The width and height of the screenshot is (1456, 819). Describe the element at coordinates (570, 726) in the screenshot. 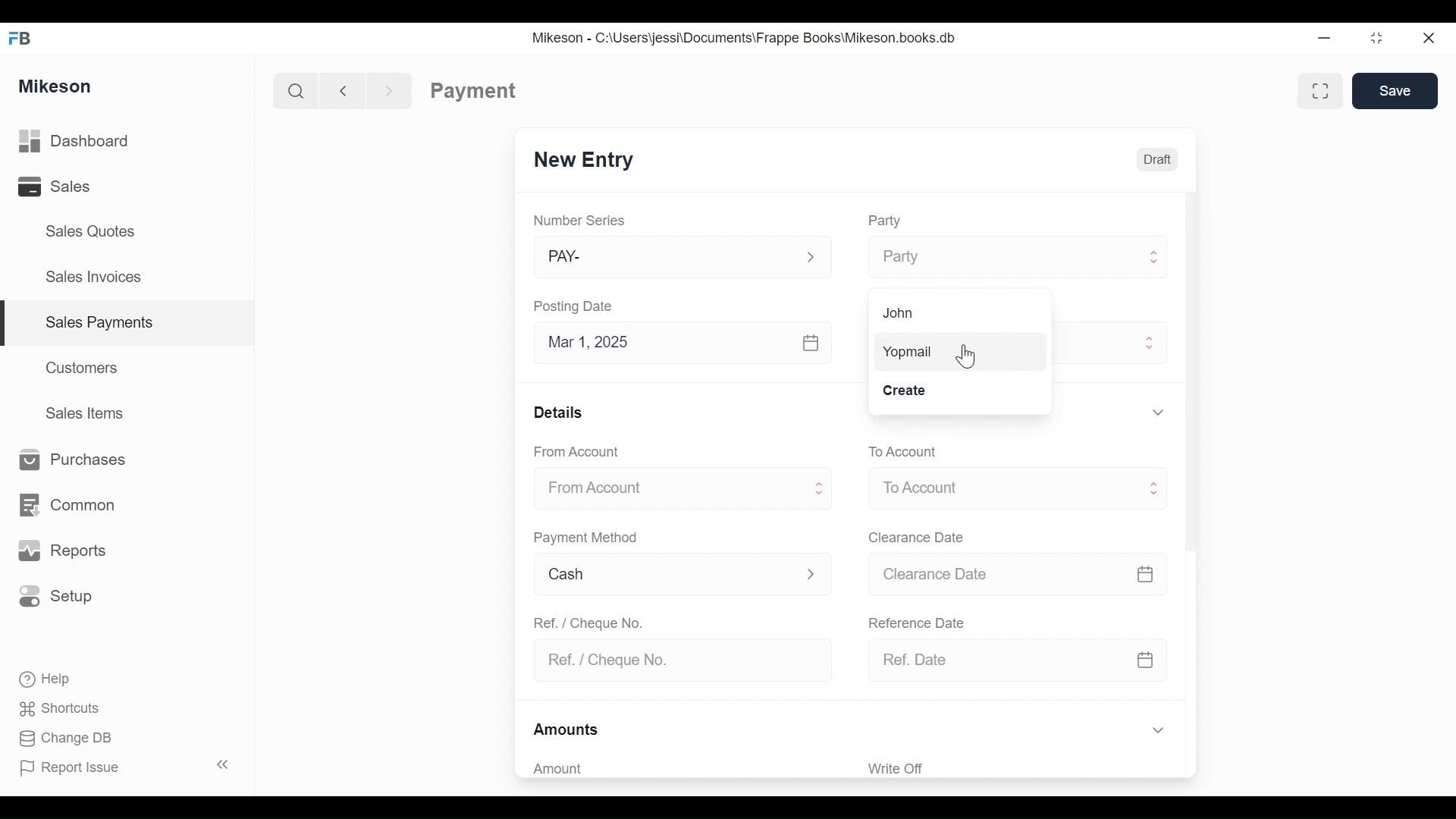

I see `Amounts` at that location.